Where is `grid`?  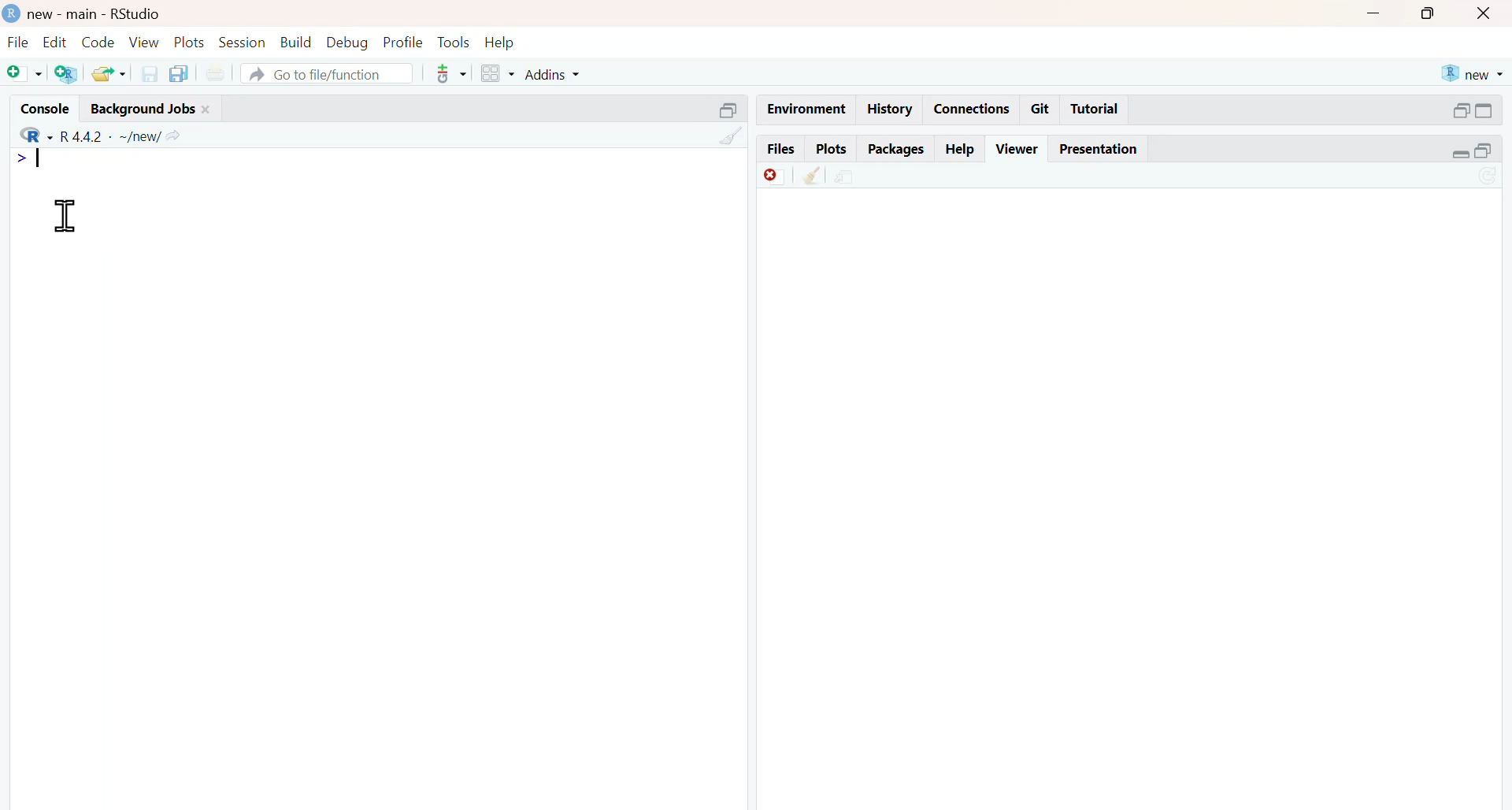
grid is located at coordinates (499, 73).